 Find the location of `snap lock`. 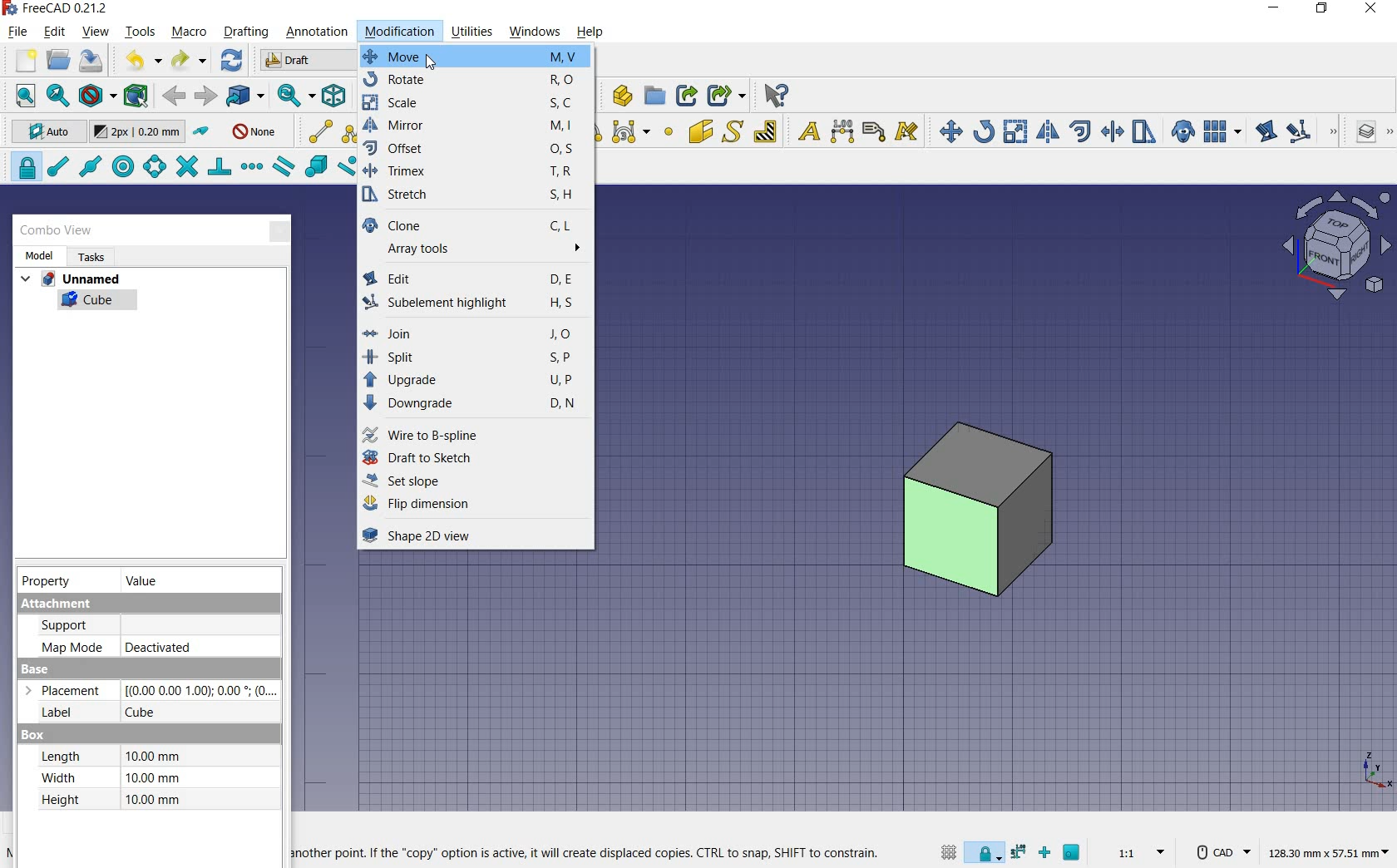

snap lock is located at coordinates (983, 855).